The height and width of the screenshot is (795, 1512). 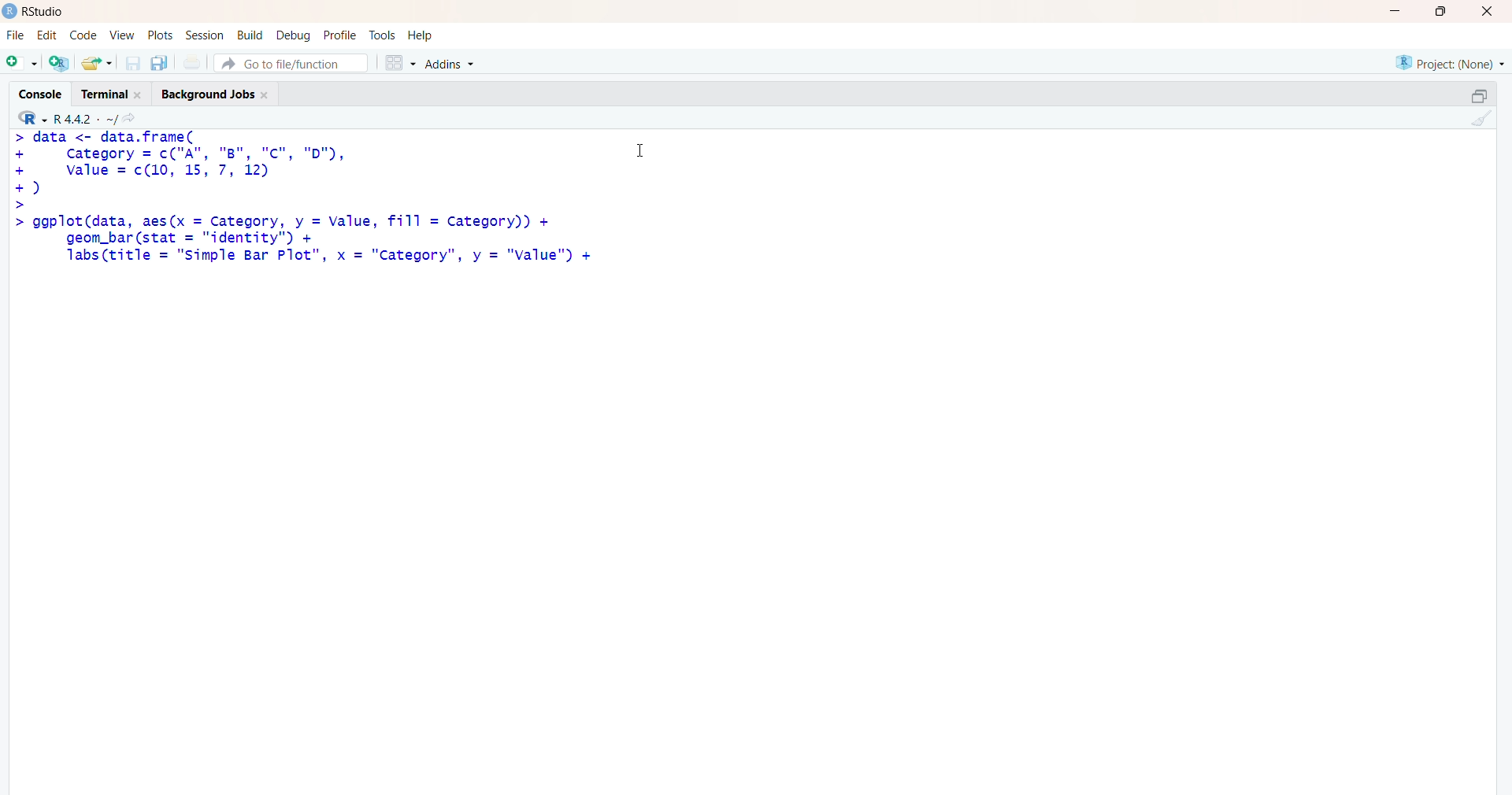 What do you see at coordinates (96, 62) in the screenshot?
I see `open an existing file` at bounding box center [96, 62].